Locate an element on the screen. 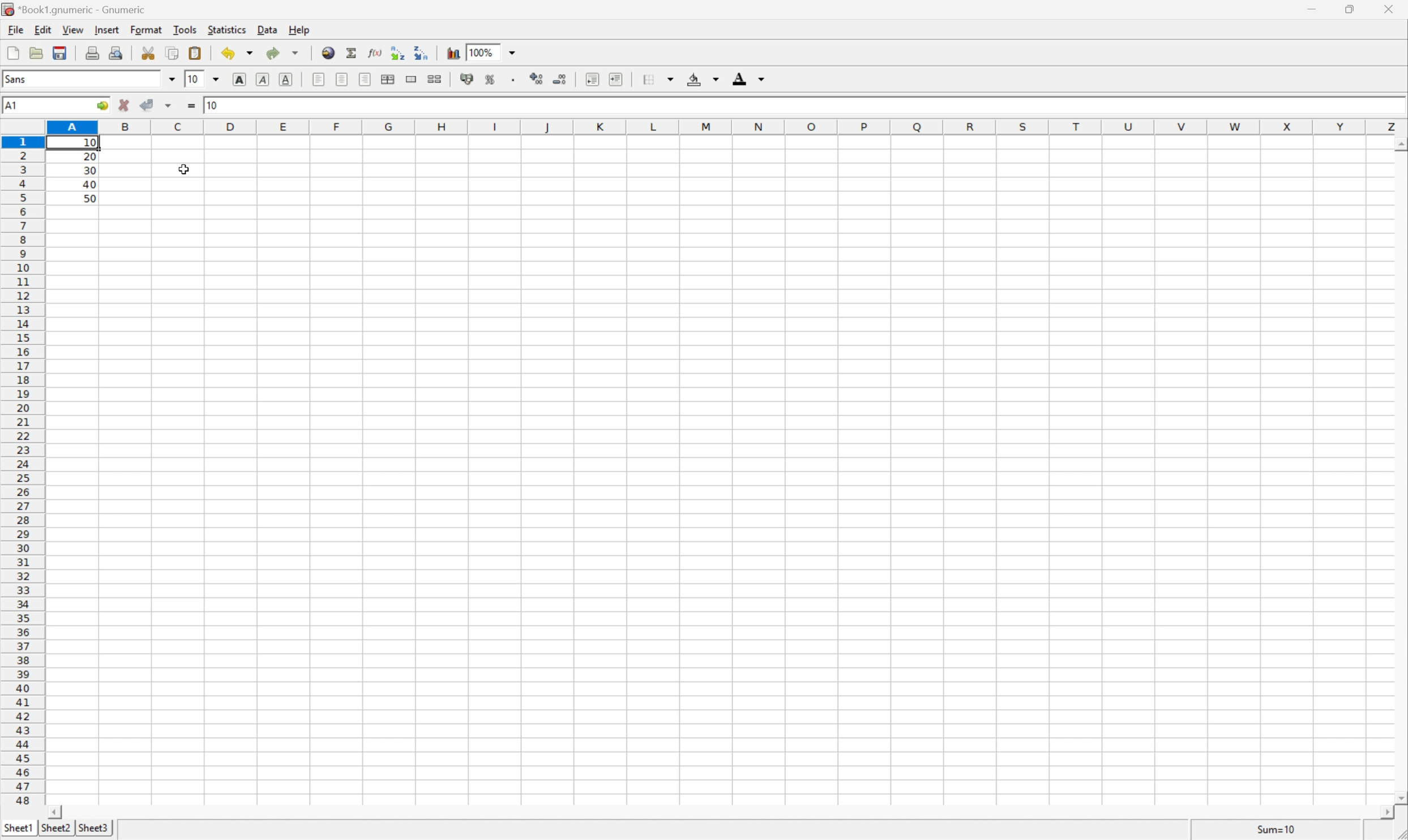 The width and height of the screenshot is (1408, 840). 10 is located at coordinates (191, 79).